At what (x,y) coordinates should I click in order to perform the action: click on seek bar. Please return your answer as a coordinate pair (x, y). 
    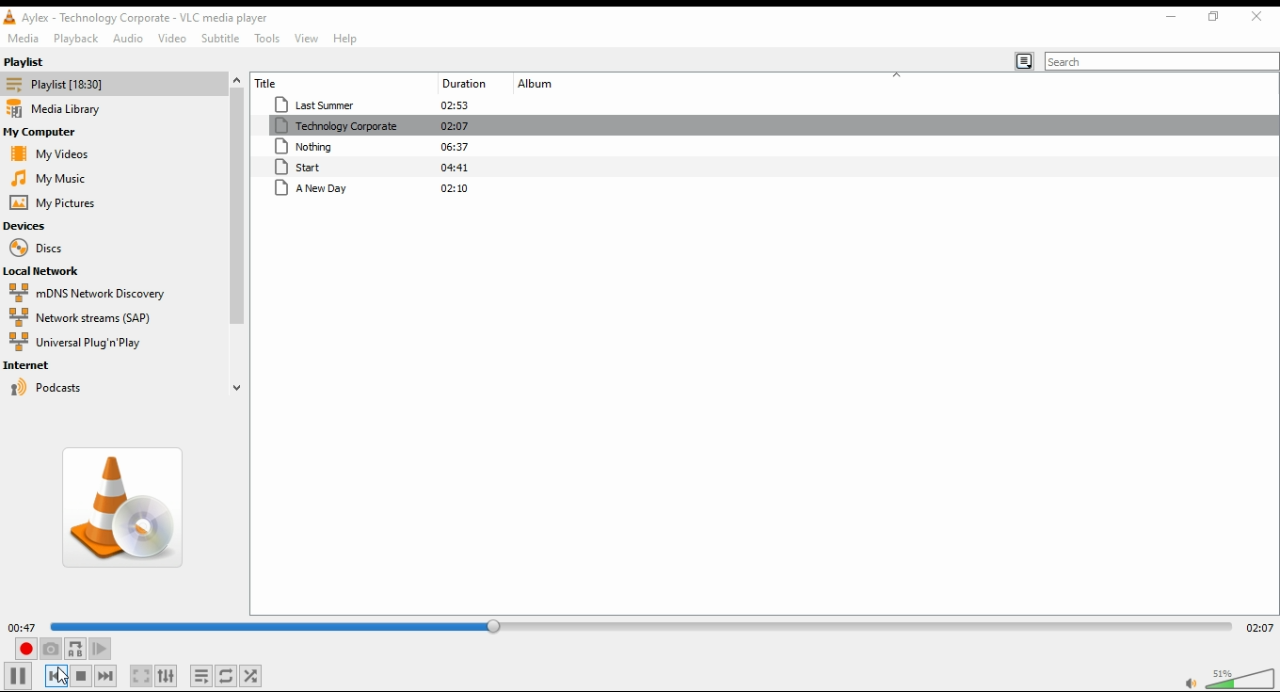
    Looking at the image, I should click on (640, 626).